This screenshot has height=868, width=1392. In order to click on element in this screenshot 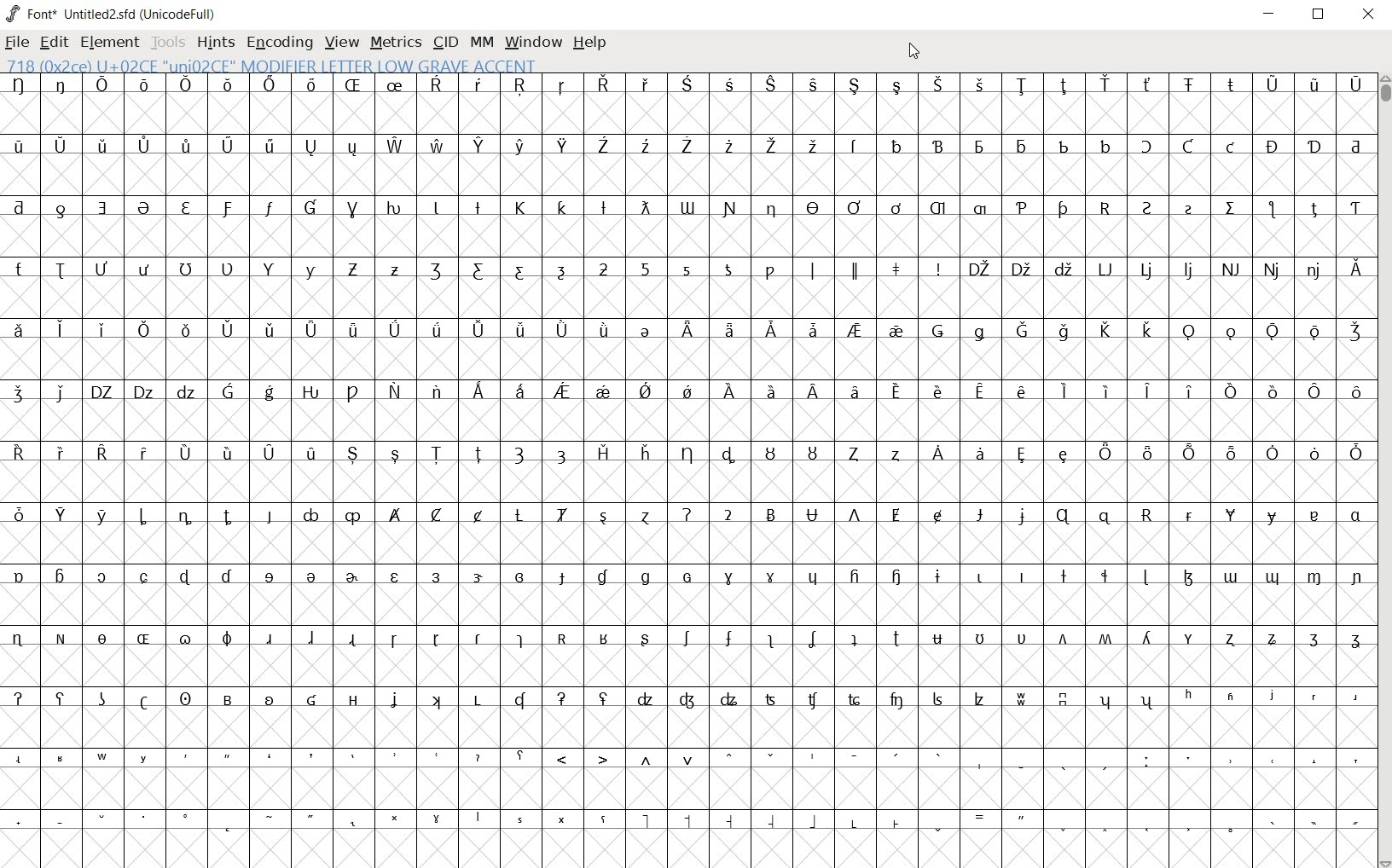, I will do `click(109, 42)`.